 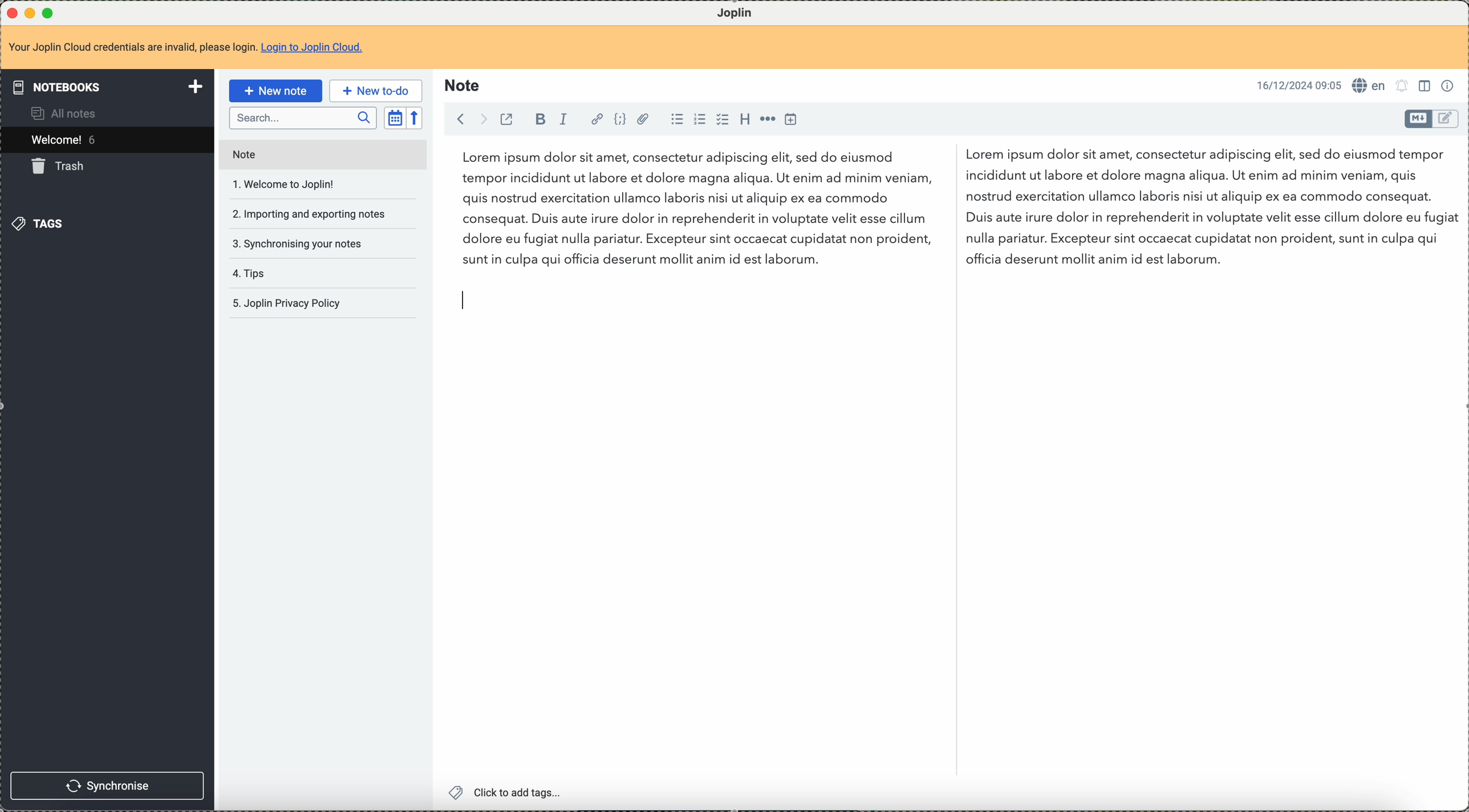 I want to click on Joplin, so click(x=735, y=13).